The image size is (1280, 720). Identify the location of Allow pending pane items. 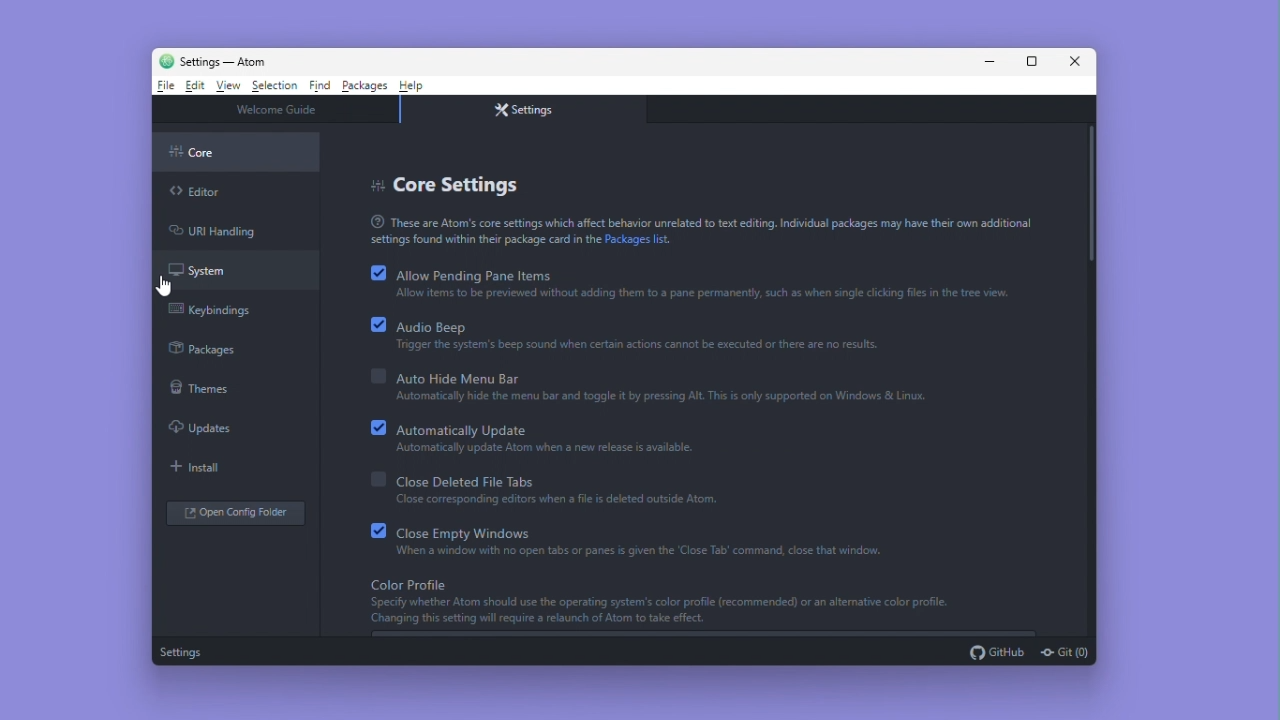
(465, 271).